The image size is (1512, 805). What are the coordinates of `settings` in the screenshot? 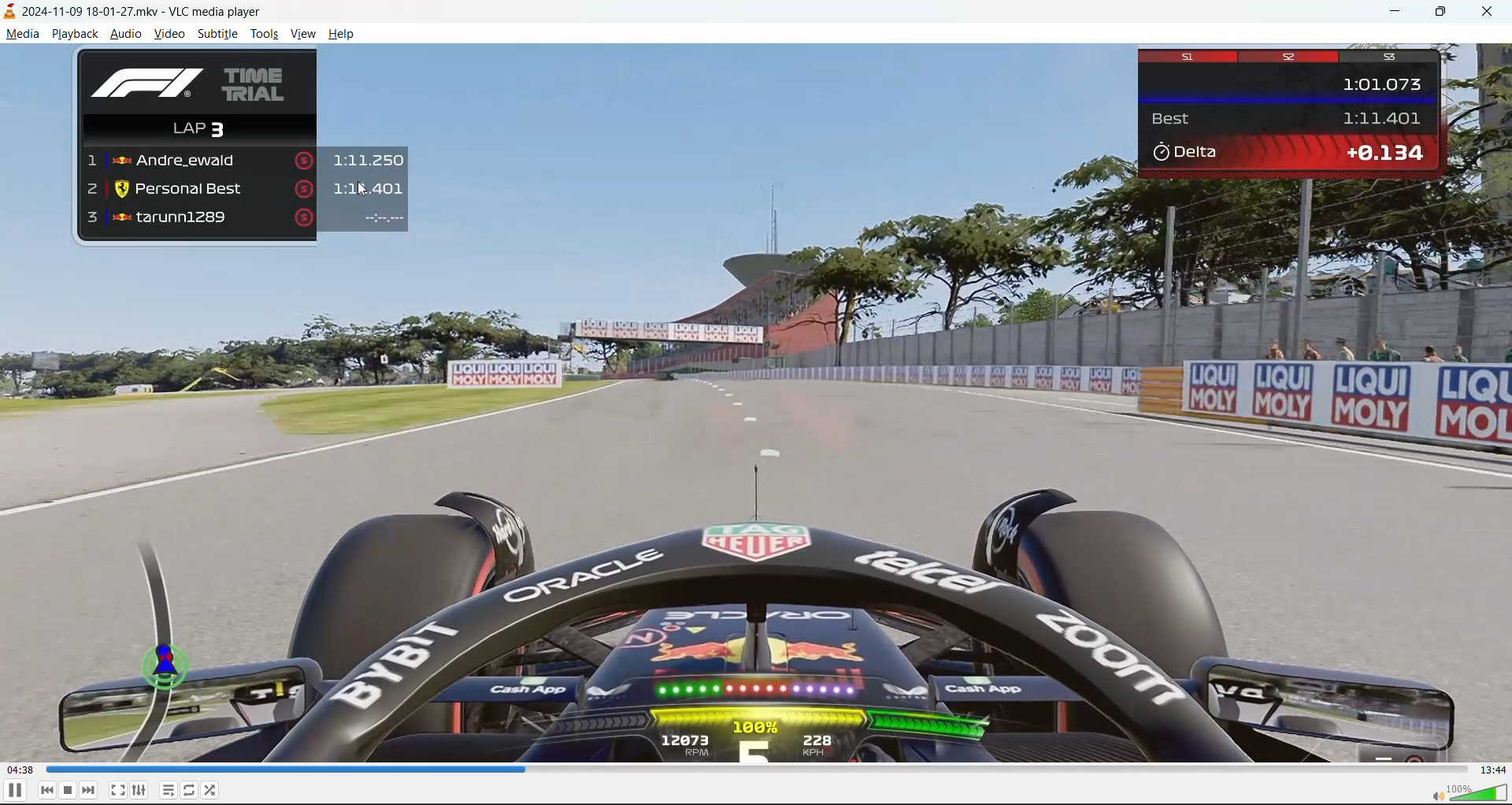 It's located at (138, 789).